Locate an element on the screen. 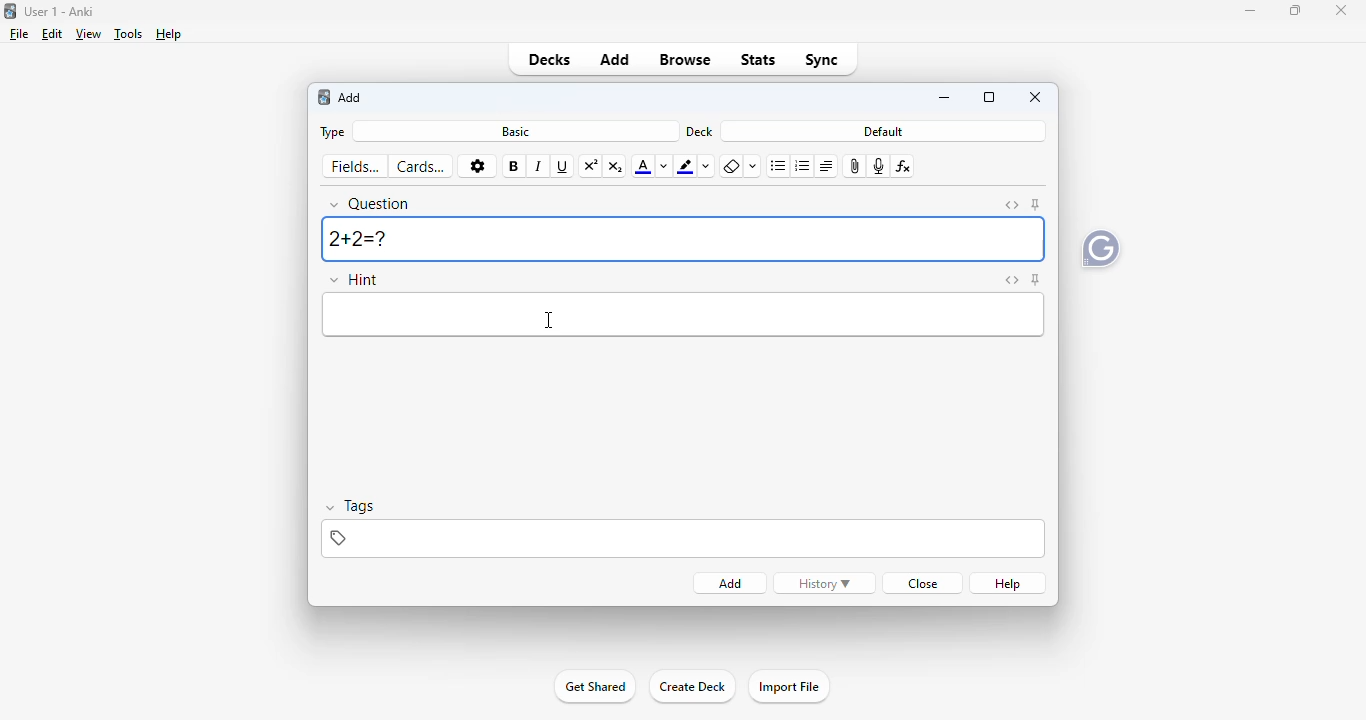 The image size is (1366, 720). close is located at coordinates (1036, 97).